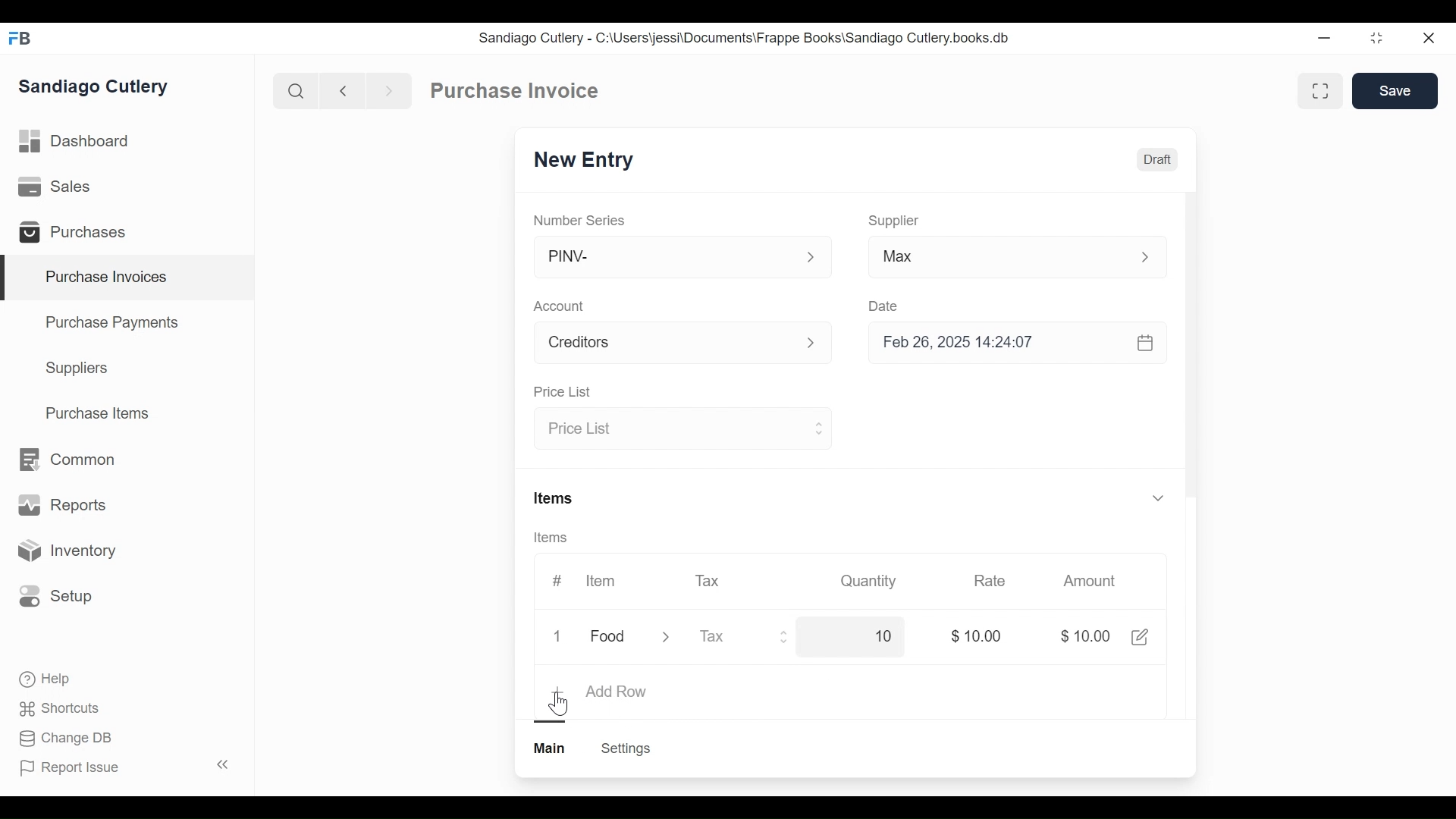 This screenshot has height=819, width=1456. Describe the element at coordinates (344, 89) in the screenshot. I see `Naviagate back` at that location.